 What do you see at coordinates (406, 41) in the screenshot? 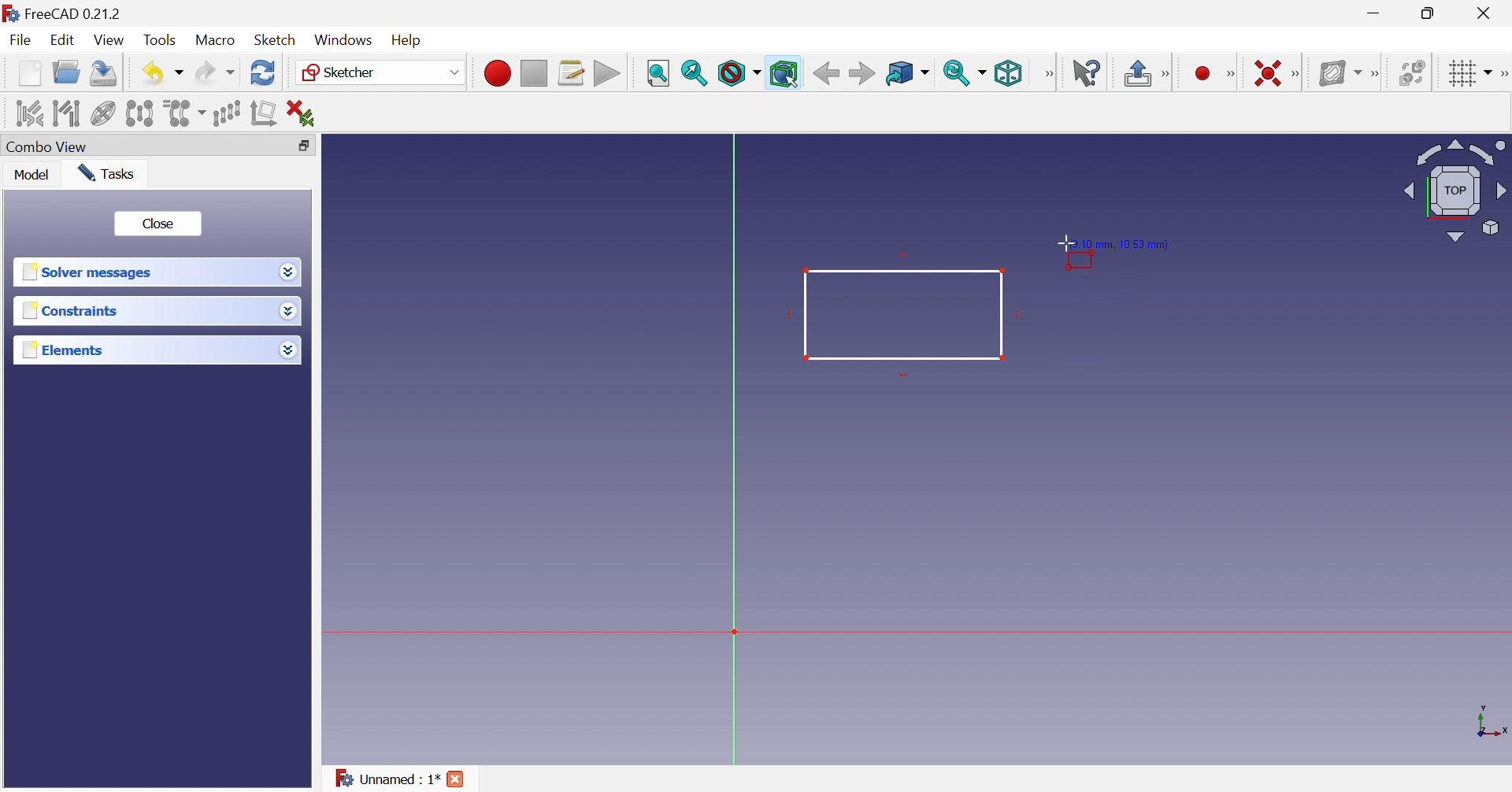
I see `` at bounding box center [406, 41].